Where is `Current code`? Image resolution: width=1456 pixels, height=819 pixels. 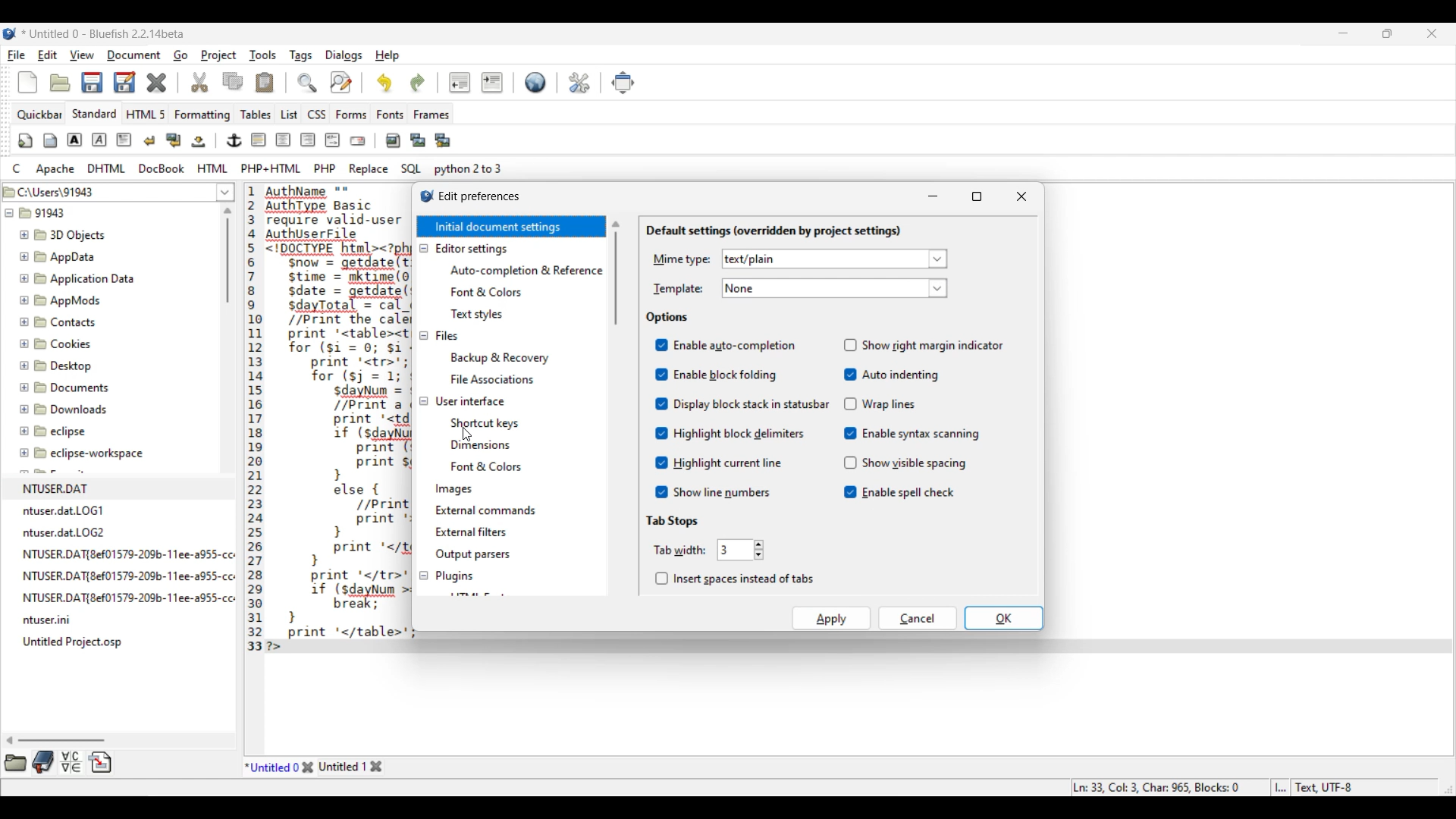
Current code is located at coordinates (322, 420).